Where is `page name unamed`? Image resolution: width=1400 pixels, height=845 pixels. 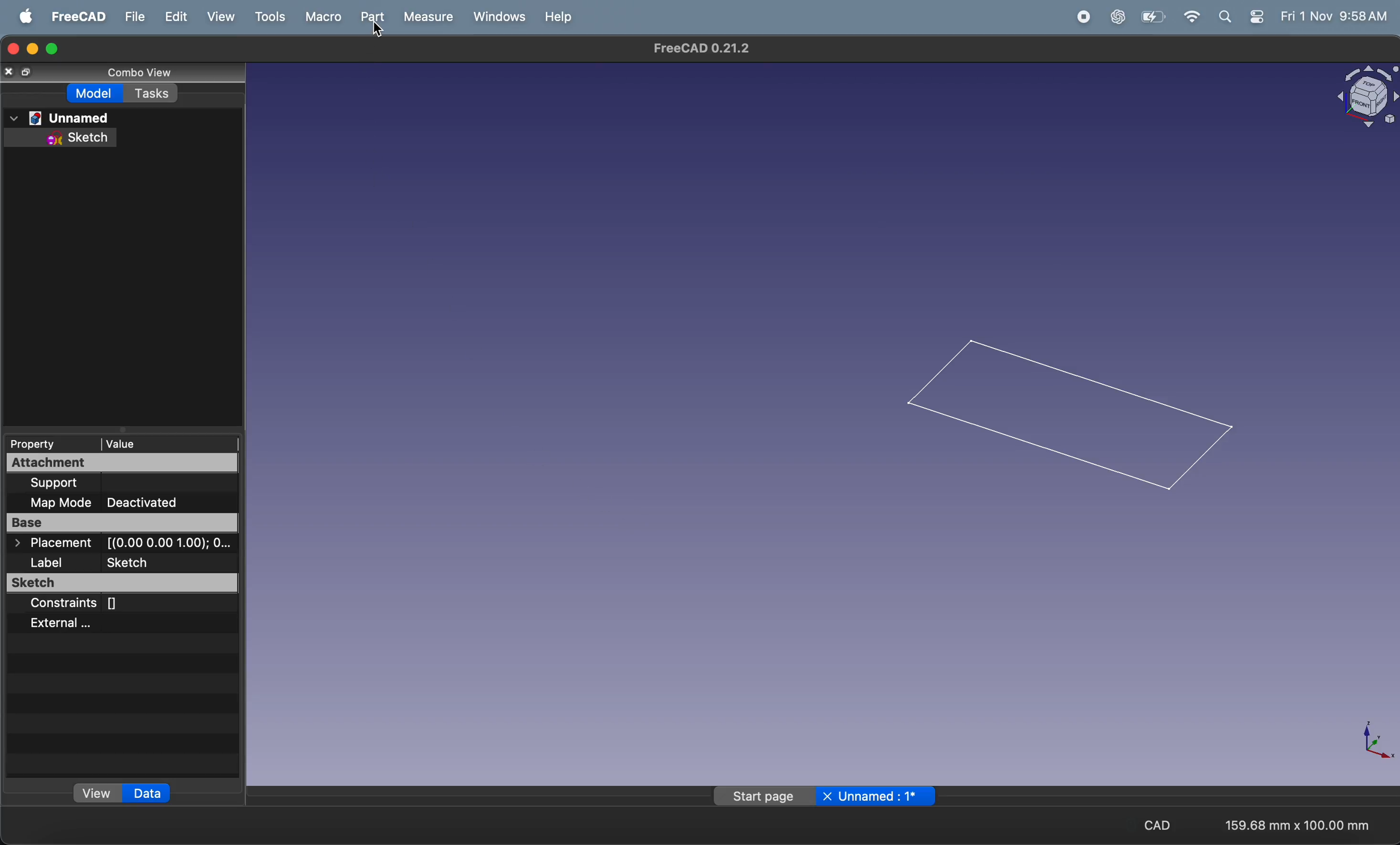 page name unamed is located at coordinates (827, 795).